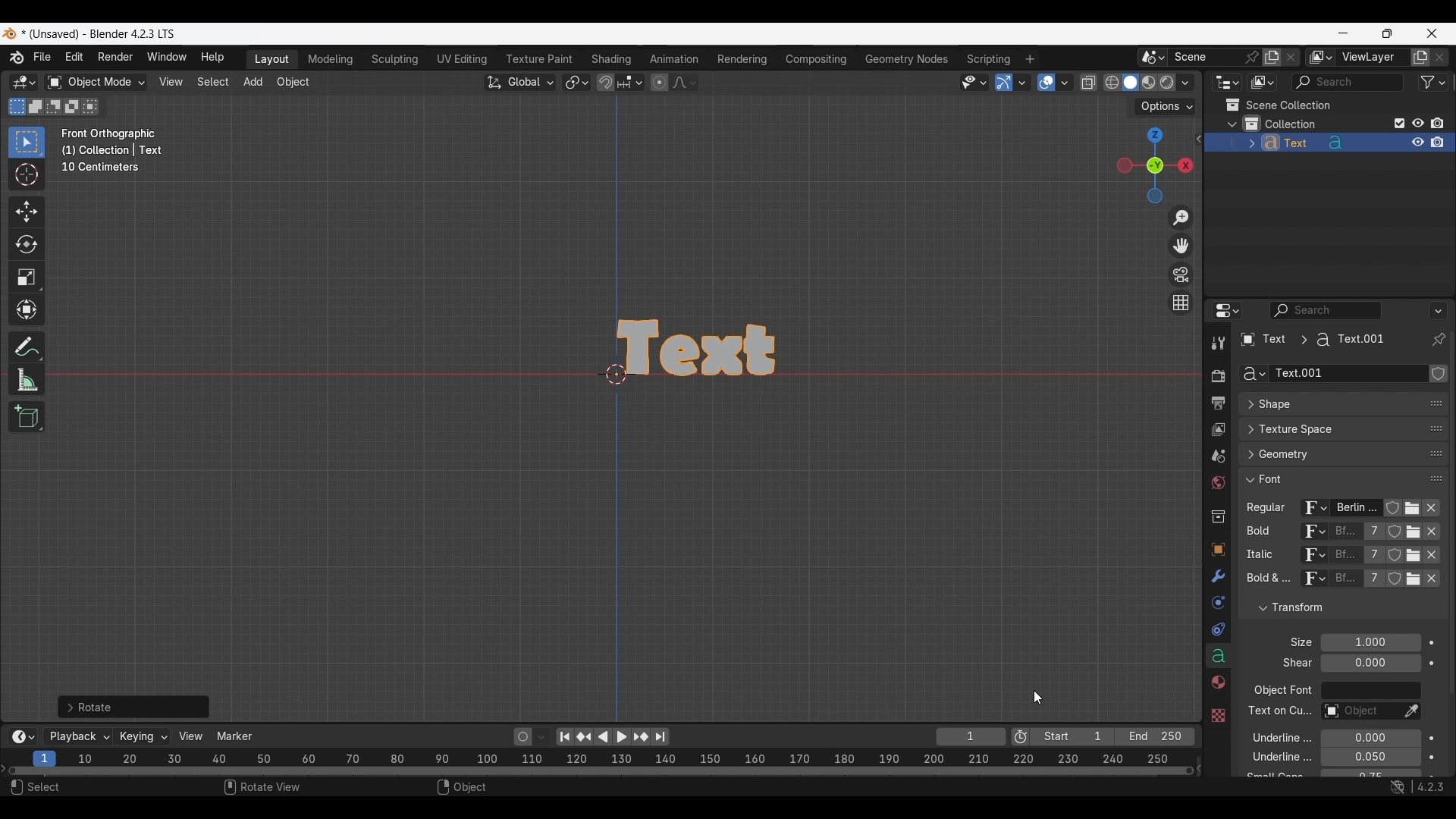 The image size is (1456, 819). What do you see at coordinates (1266, 580) in the screenshot?
I see `text` at bounding box center [1266, 580].